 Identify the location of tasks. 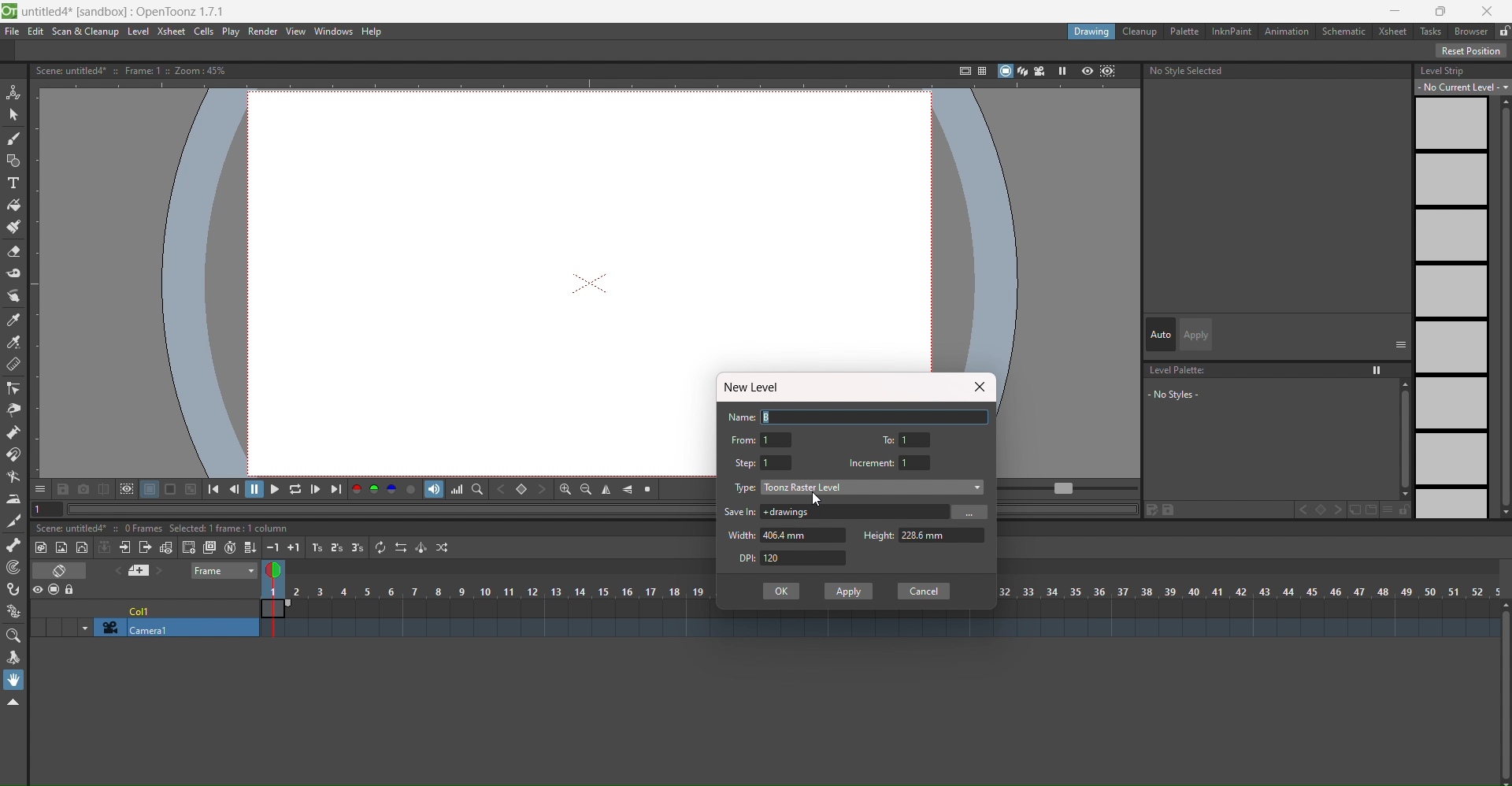
(1430, 32).